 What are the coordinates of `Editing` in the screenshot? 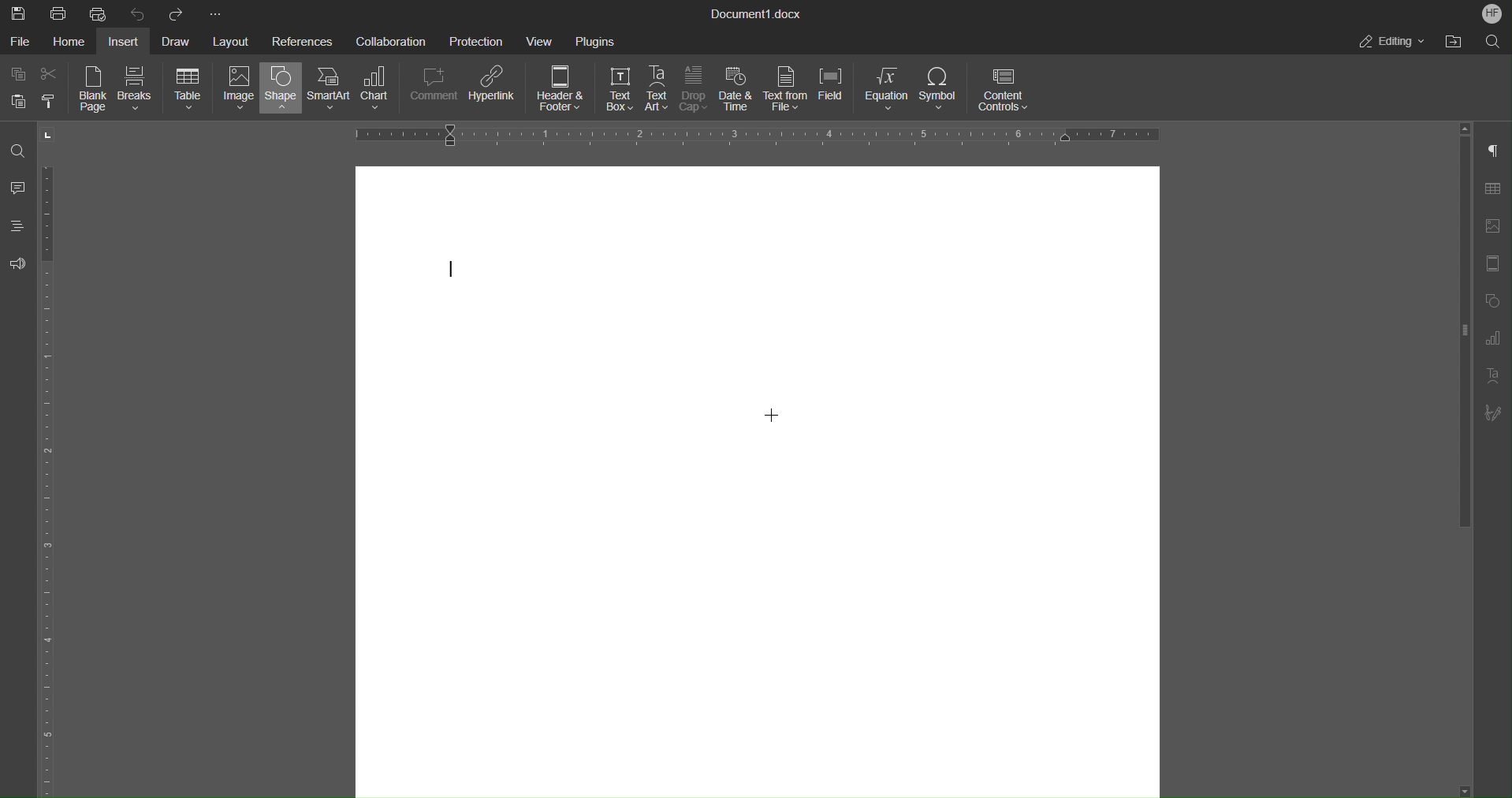 It's located at (1393, 42).